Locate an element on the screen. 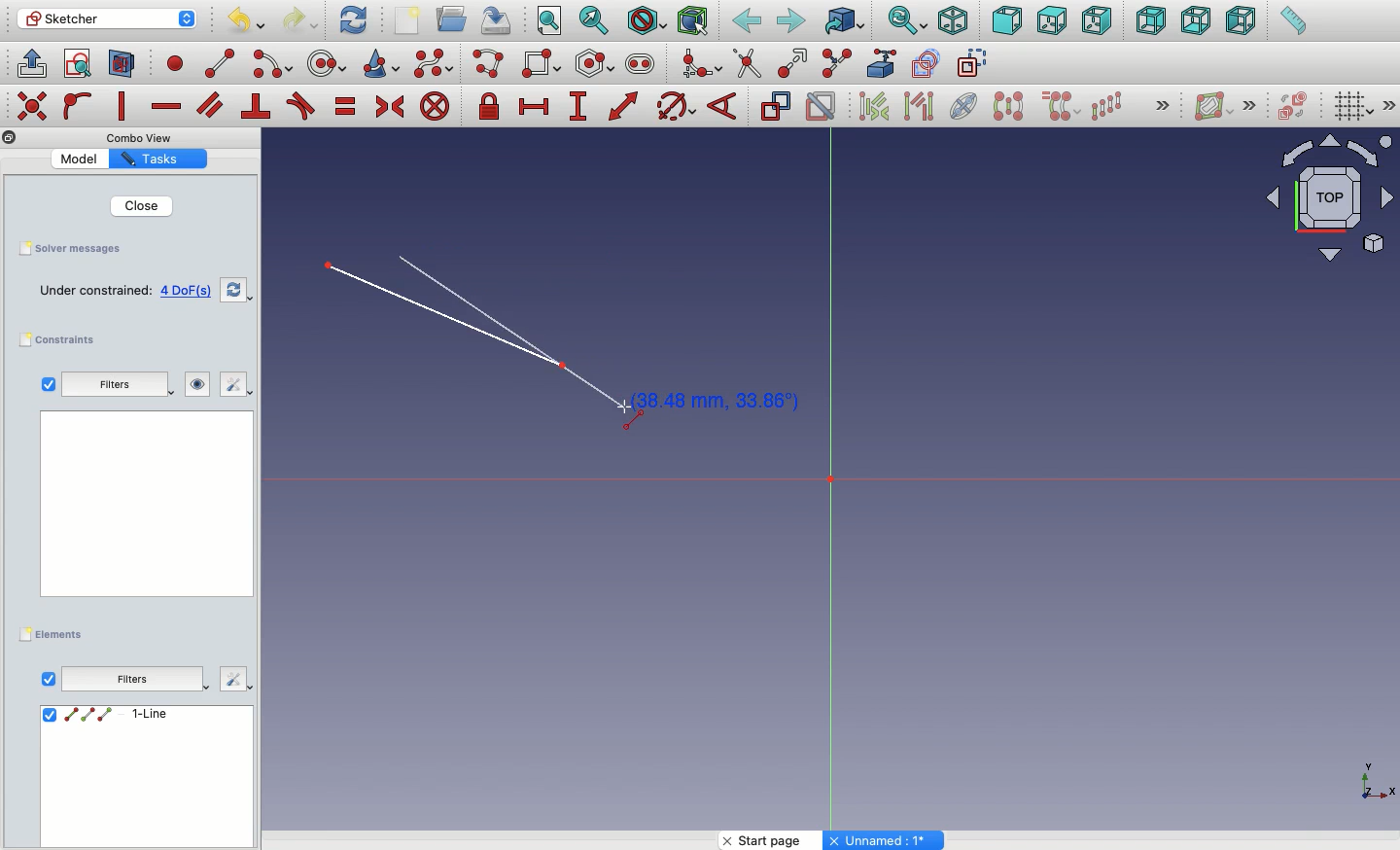 The image size is (1400, 850). Left is located at coordinates (1242, 22).